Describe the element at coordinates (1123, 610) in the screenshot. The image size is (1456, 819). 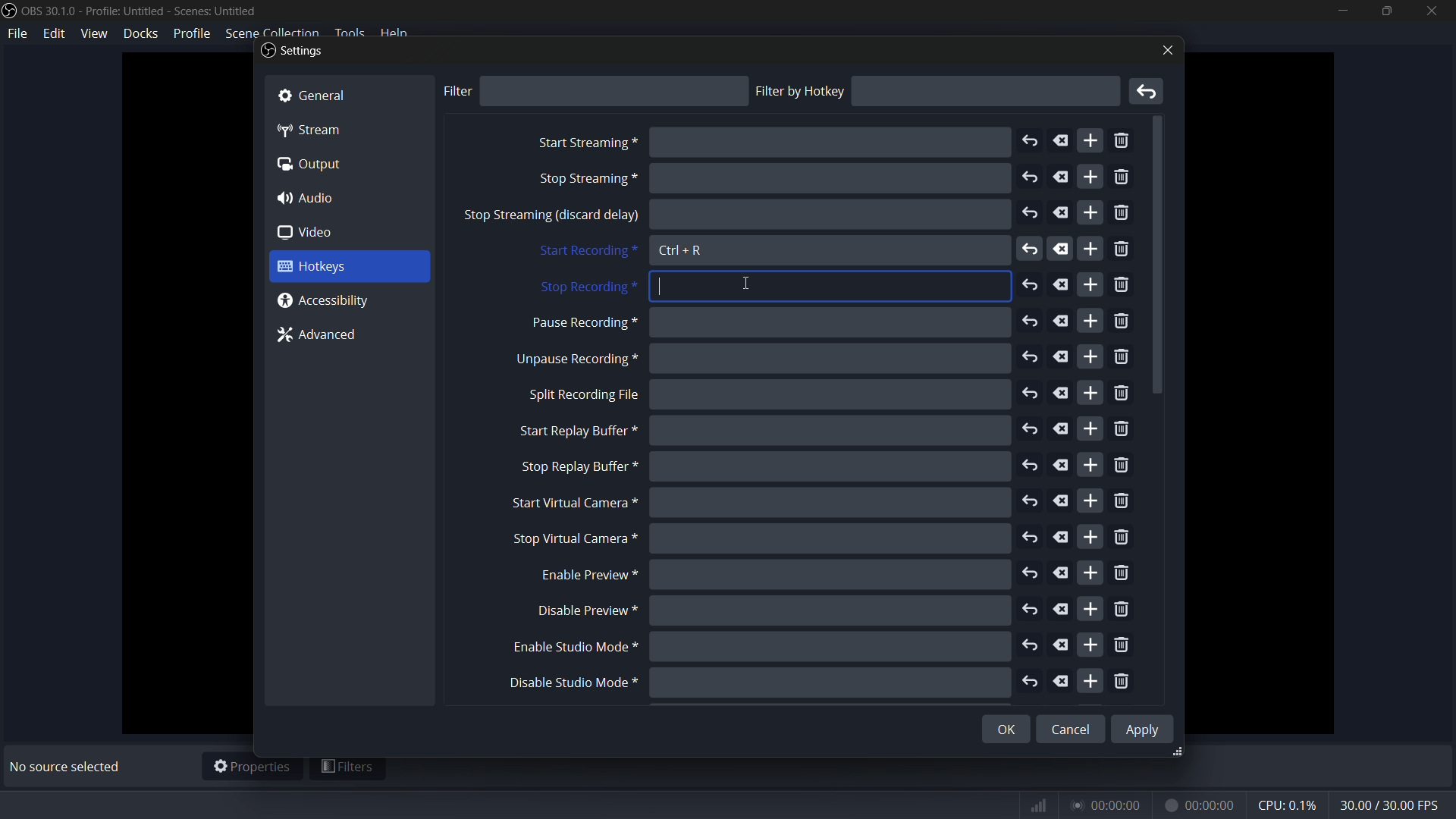
I see `remove` at that location.